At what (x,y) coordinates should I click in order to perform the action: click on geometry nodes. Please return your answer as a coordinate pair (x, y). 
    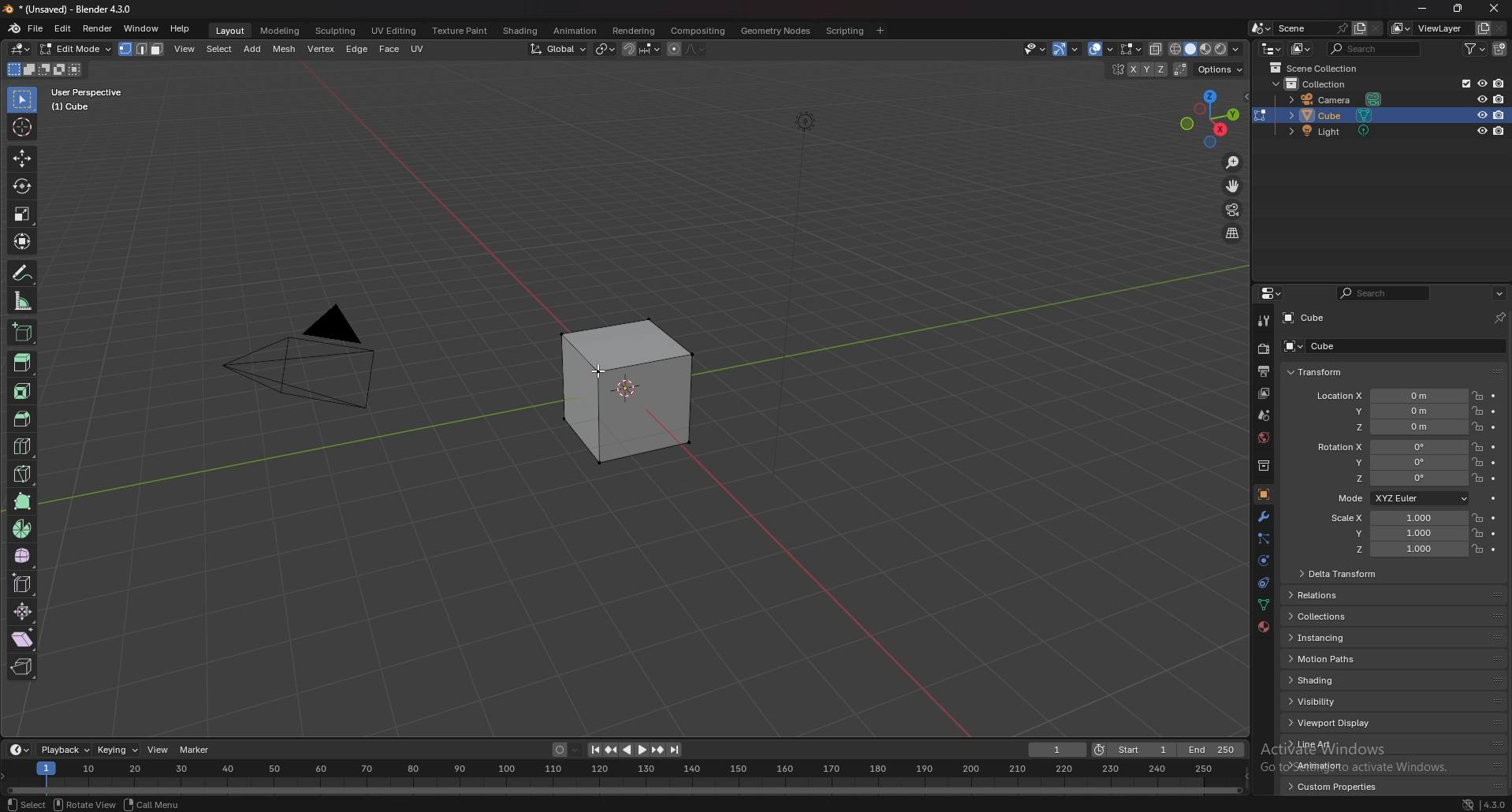
    Looking at the image, I should click on (776, 30).